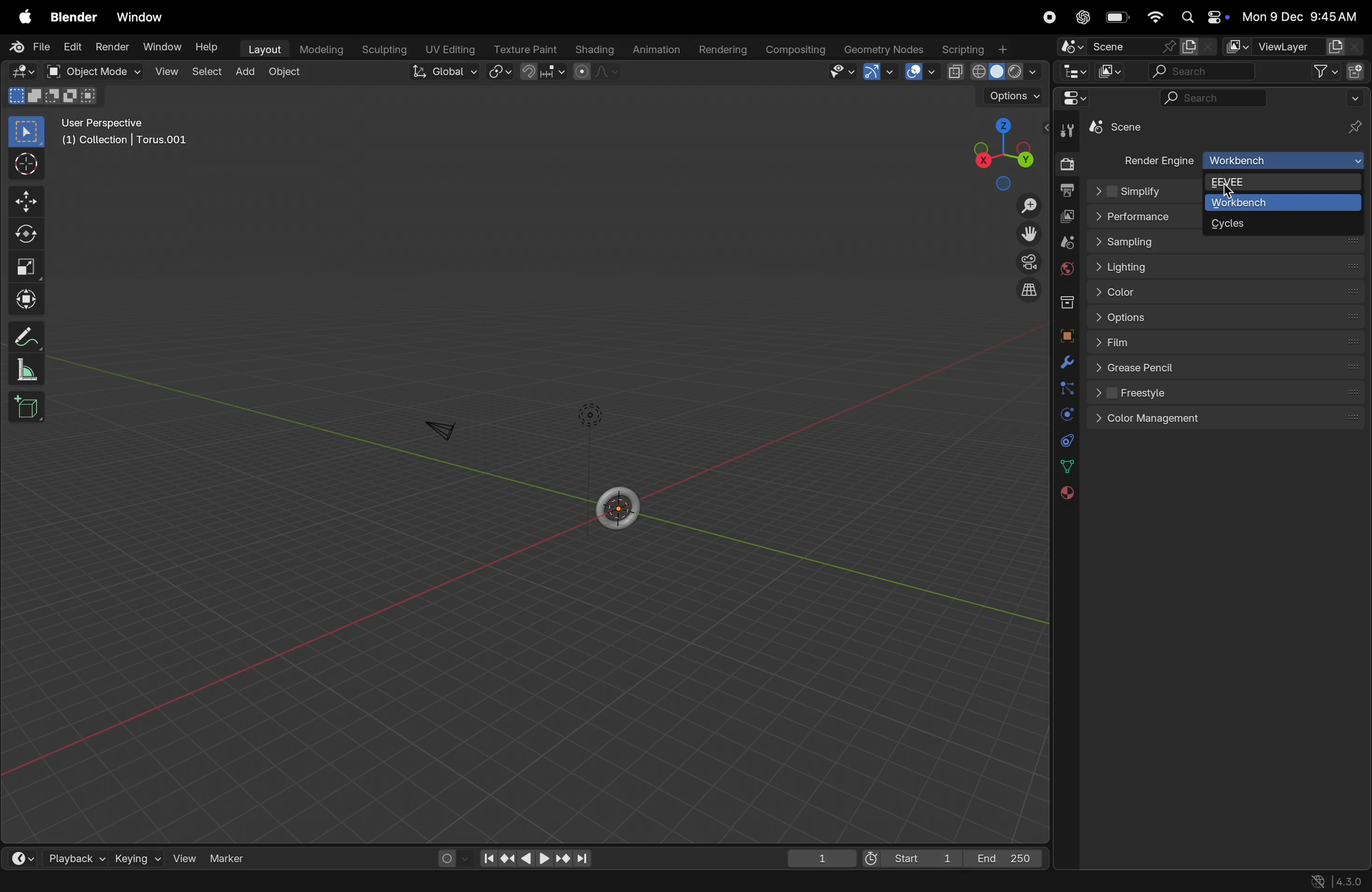 The width and height of the screenshot is (1372, 892). What do you see at coordinates (1027, 233) in the screenshot?
I see `Toggle view` at bounding box center [1027, 233].